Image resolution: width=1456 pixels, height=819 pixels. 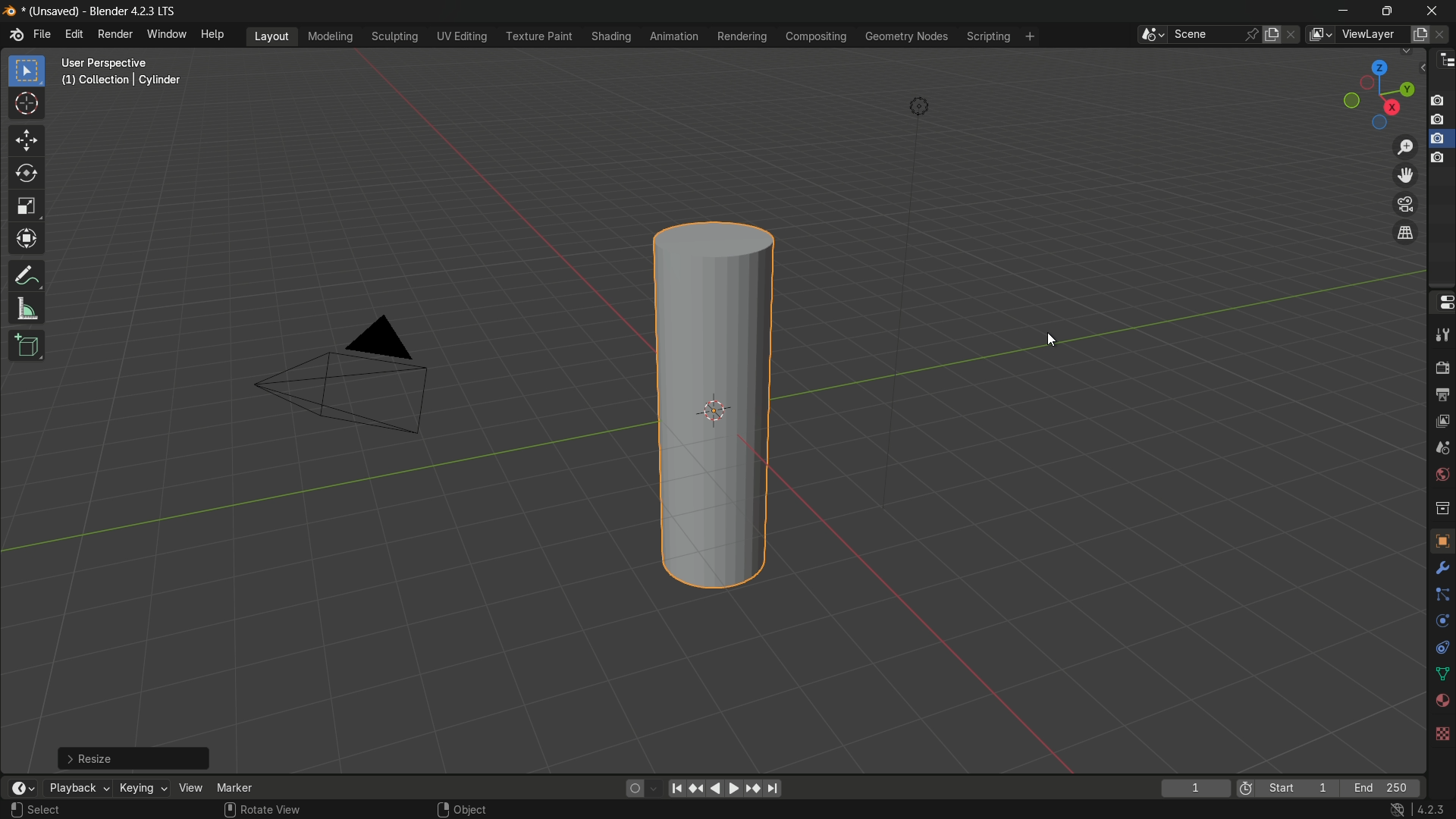 I want to click on auto keying, so click(x=631, y=789).